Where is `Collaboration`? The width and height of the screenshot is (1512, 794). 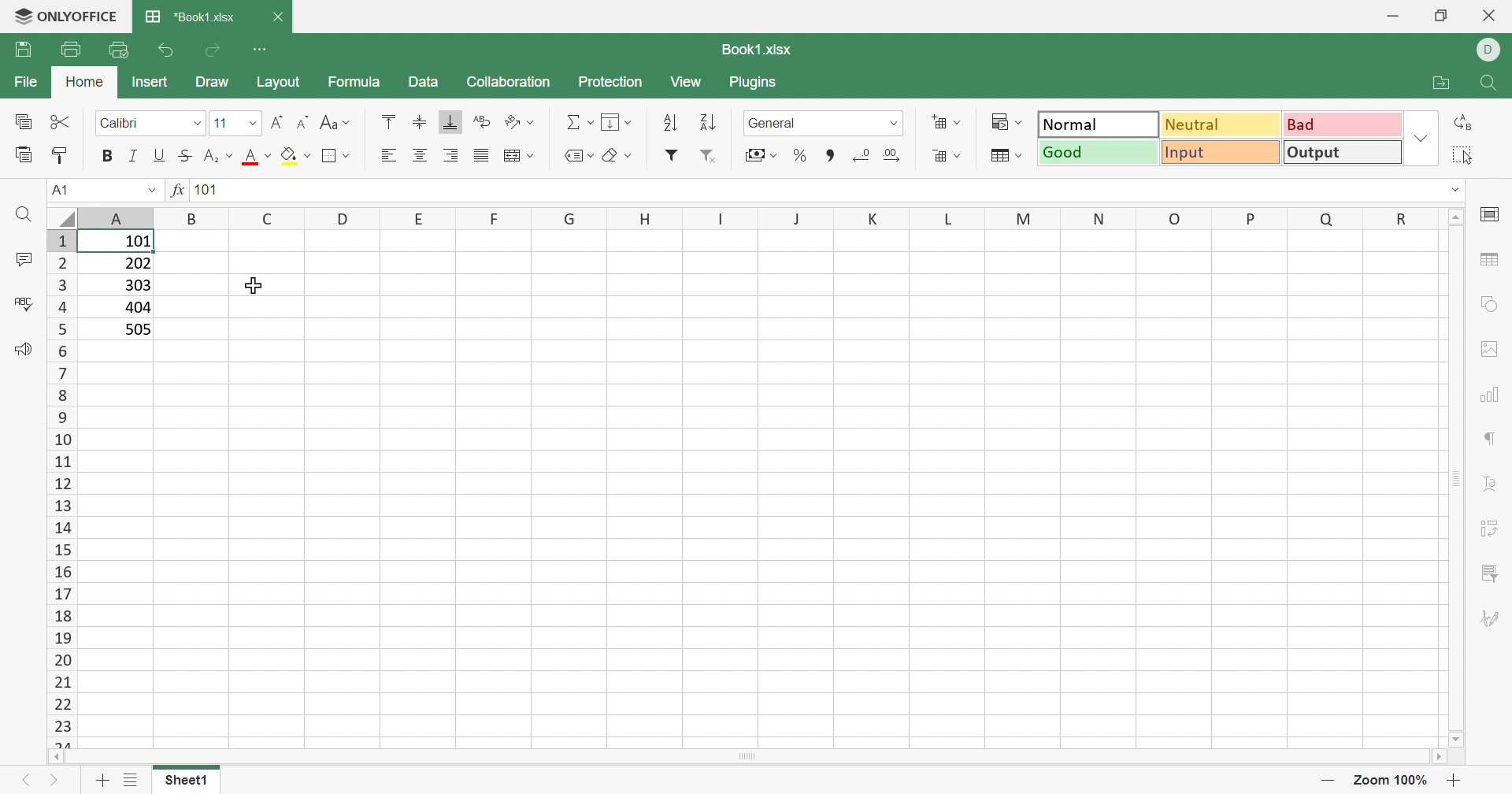 Collaboration is located at coordinates (508, 82).